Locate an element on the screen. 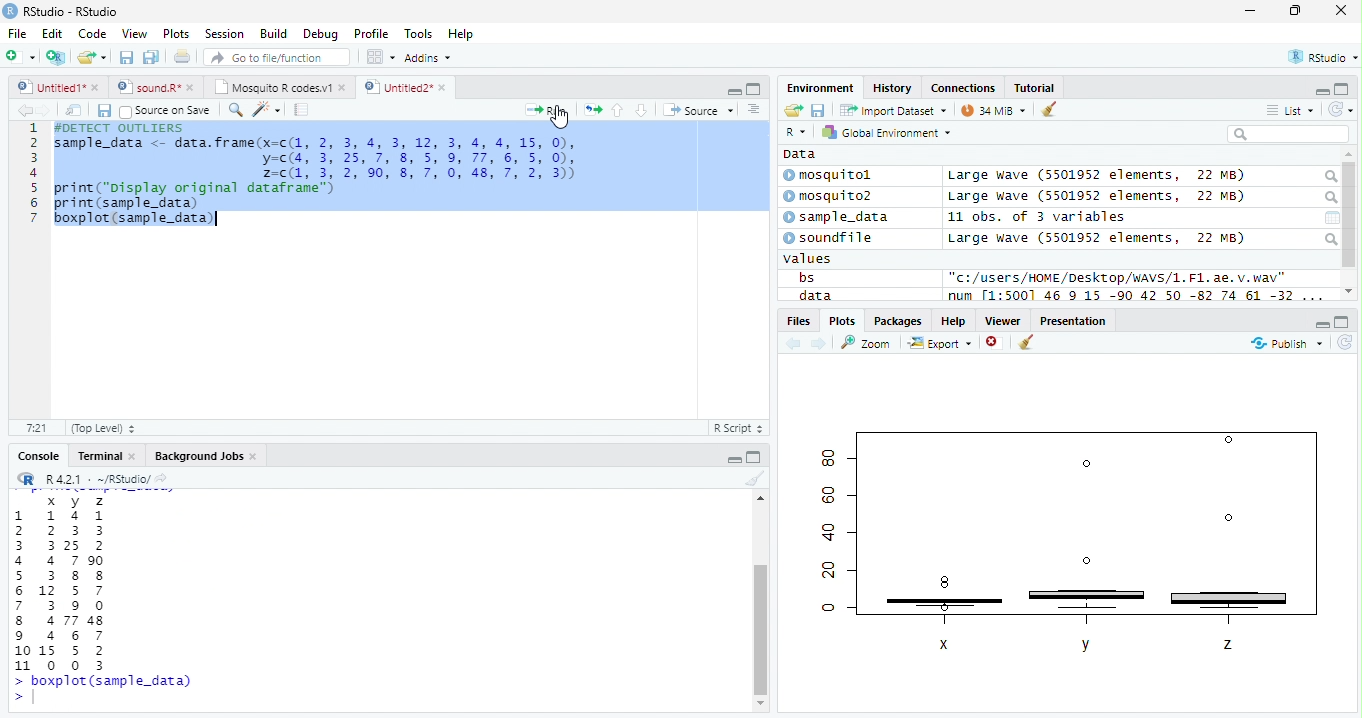  Data is located at coordinates (800, 154).